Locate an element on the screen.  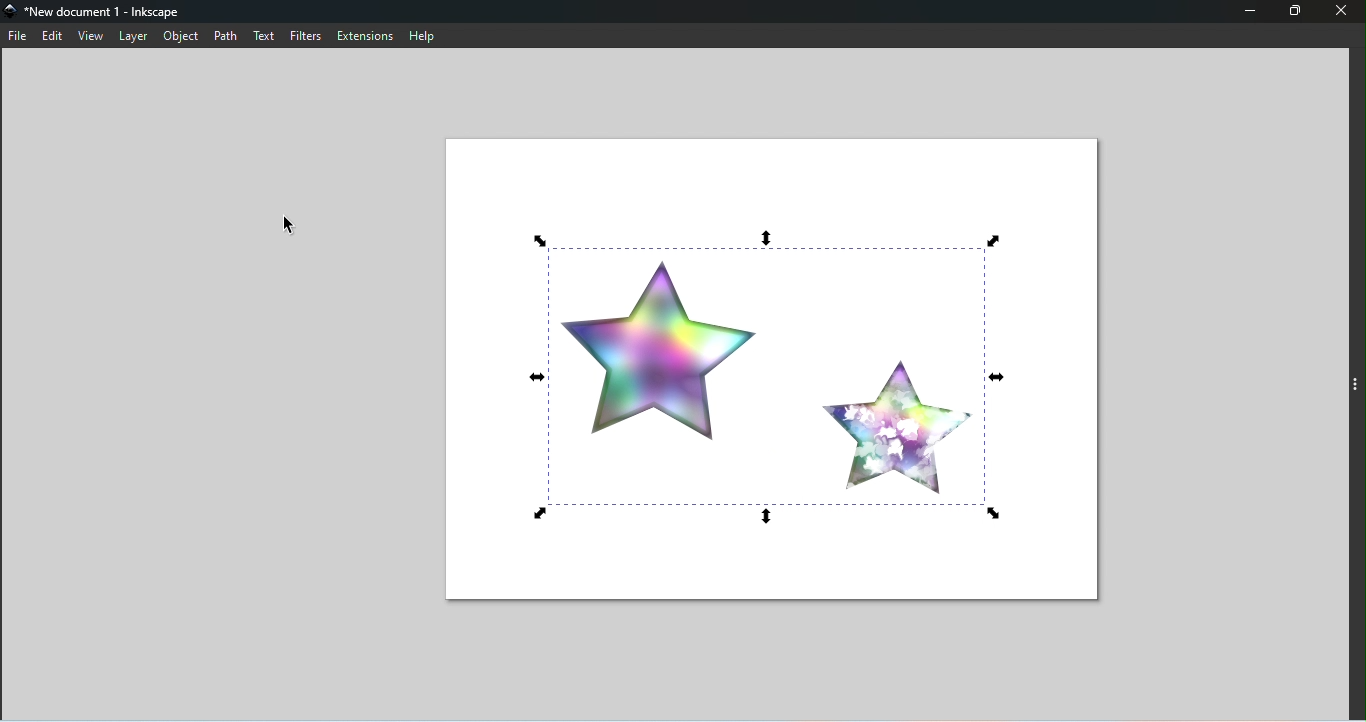
Object is located at coordinates (185, 35).